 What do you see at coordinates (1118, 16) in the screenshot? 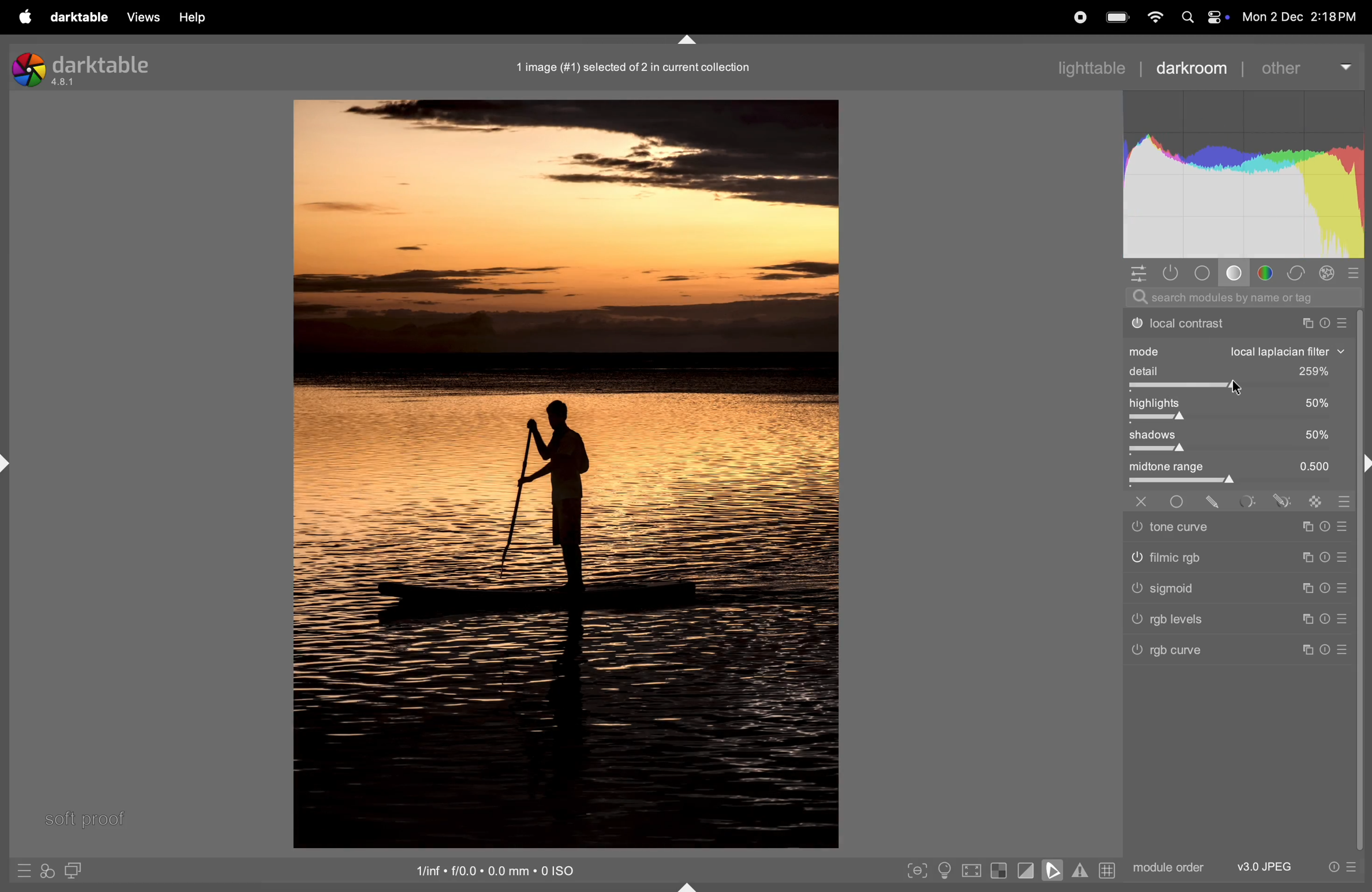
I see `battery` at bounding box center [1118, 16].